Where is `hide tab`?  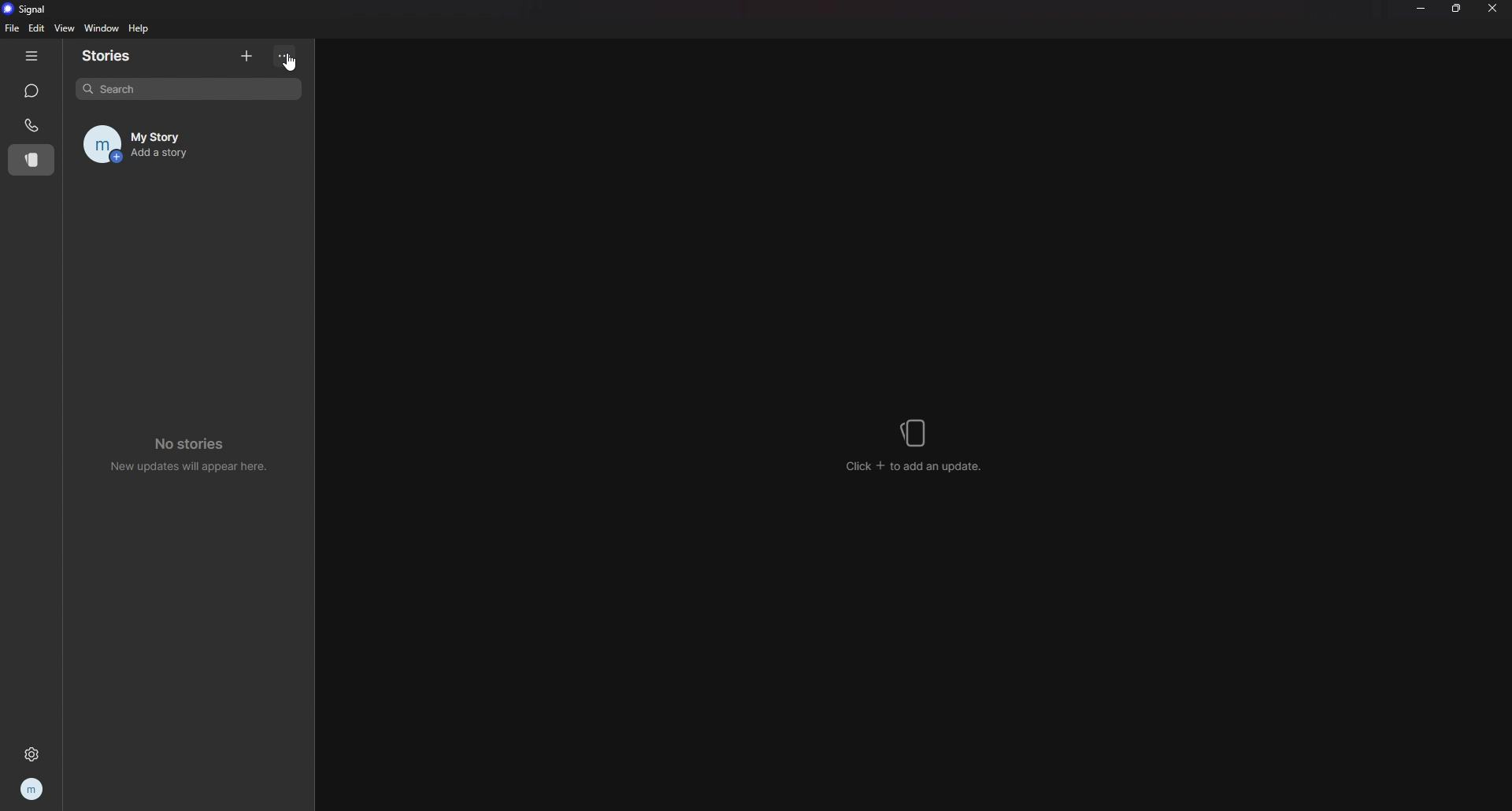 hide tab is located at coordinates (31, 56).